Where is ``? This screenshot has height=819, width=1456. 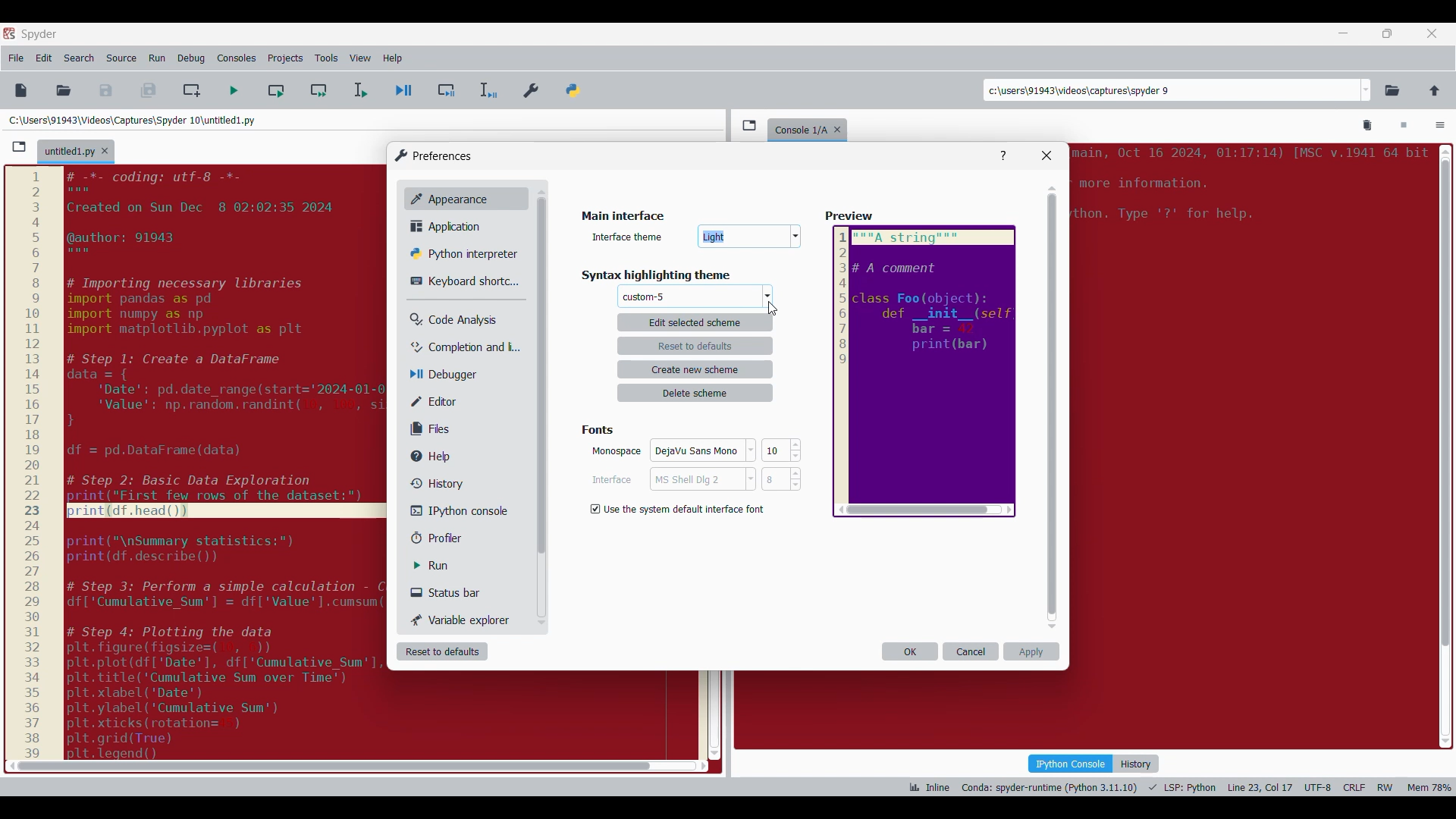
 is located at coordinates (851, 217).